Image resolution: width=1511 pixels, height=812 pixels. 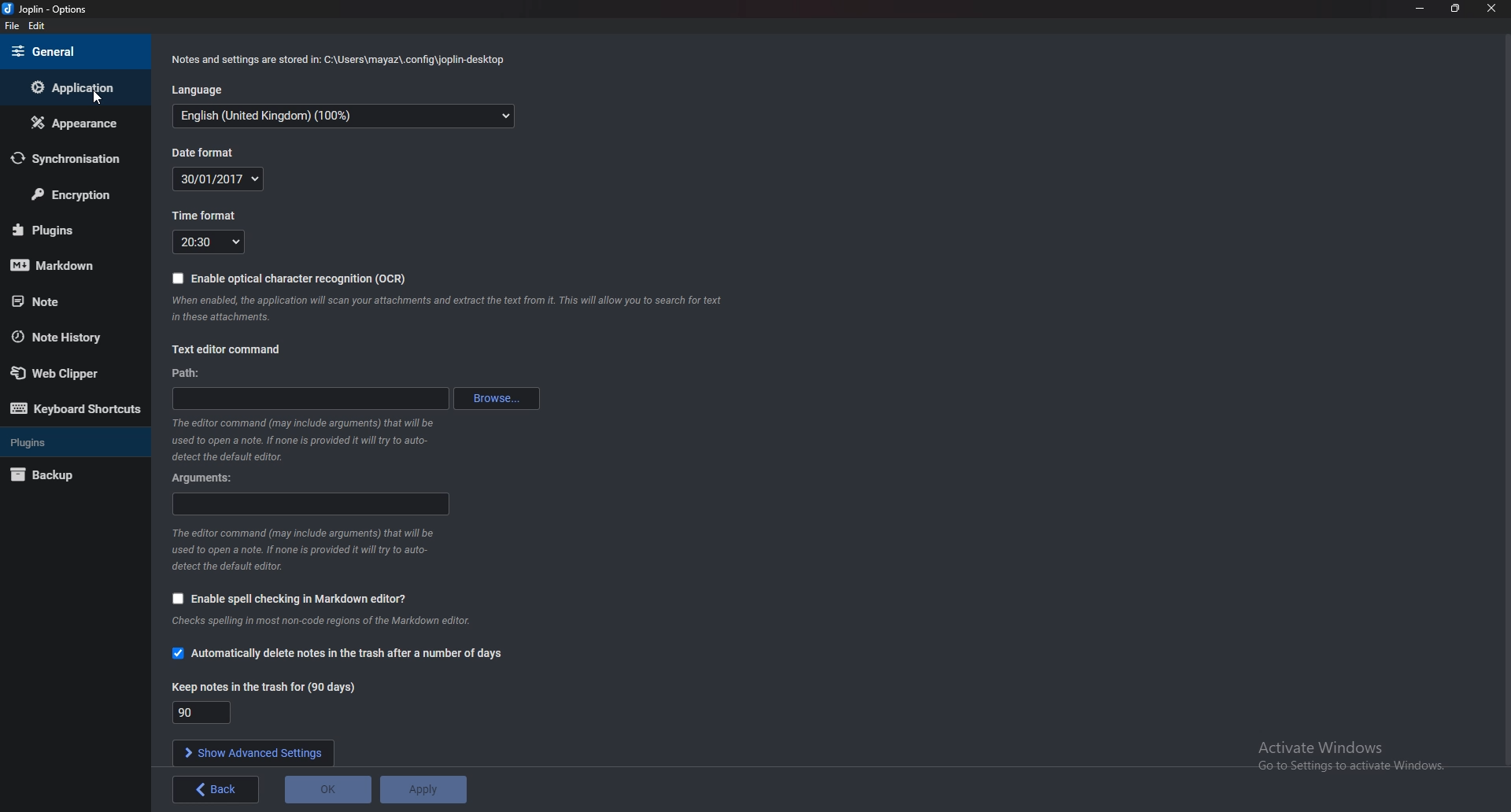 What do you see at coordinates (67, 227) in the screenshot?
I see `Plugins` at bounding box center [67, 227].